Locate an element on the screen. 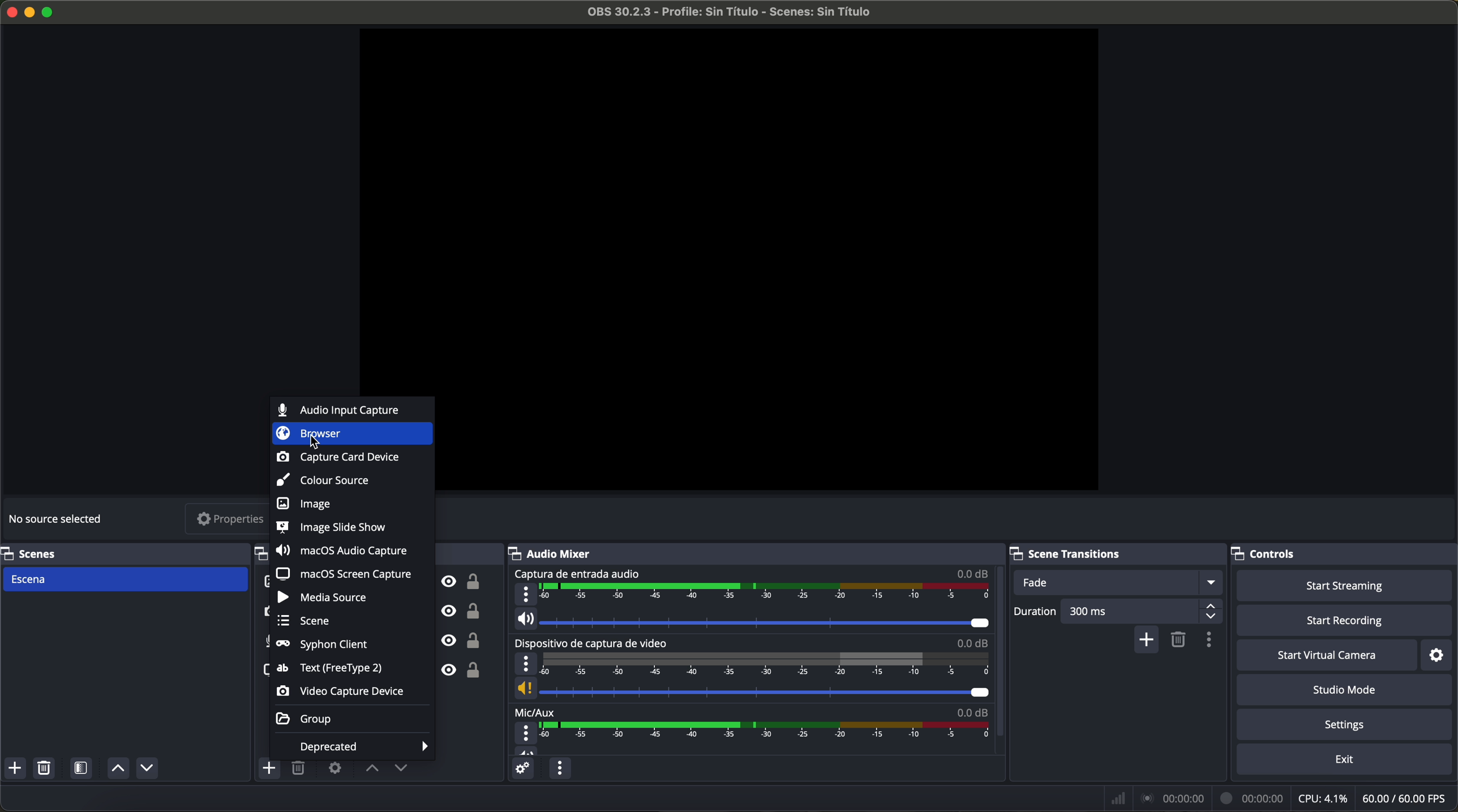 This screenshot has height=812, width=1458. text is located at coordinates (338, 669).